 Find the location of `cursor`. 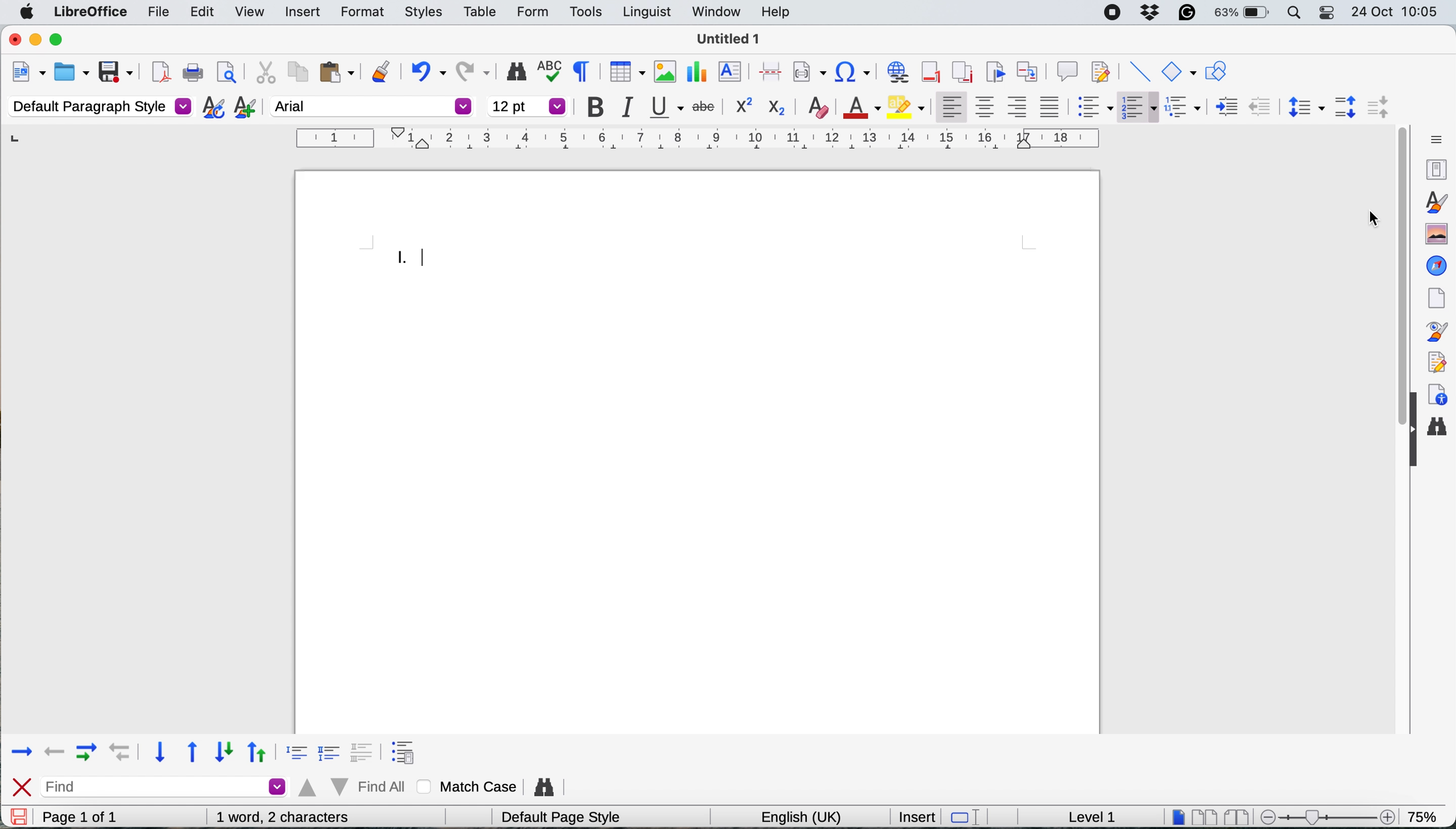

cursor is located at coordinates (1375, 222).